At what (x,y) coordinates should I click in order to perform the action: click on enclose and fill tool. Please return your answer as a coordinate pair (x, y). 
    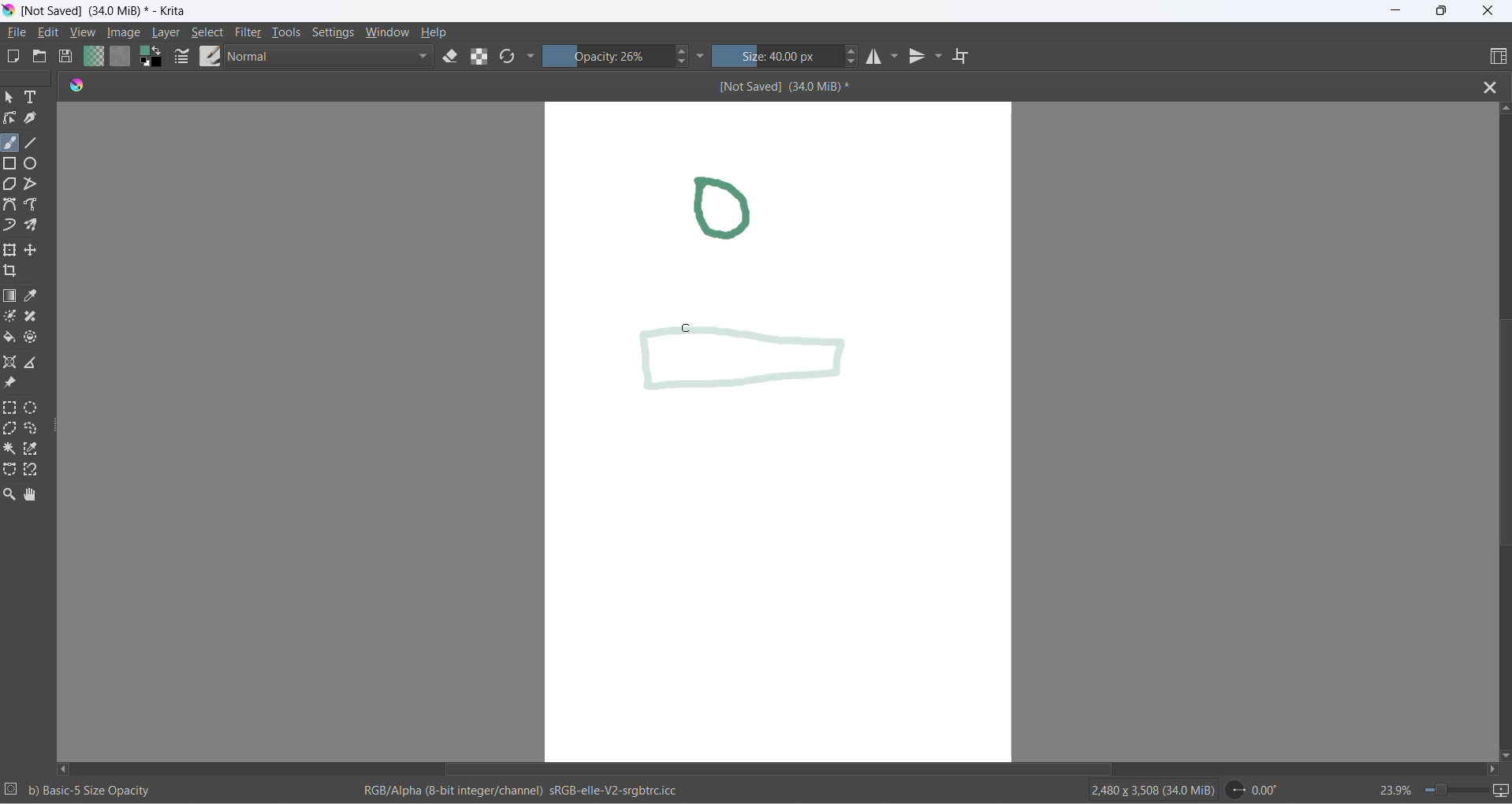
    Looking at the image, I should click on (35, 336).